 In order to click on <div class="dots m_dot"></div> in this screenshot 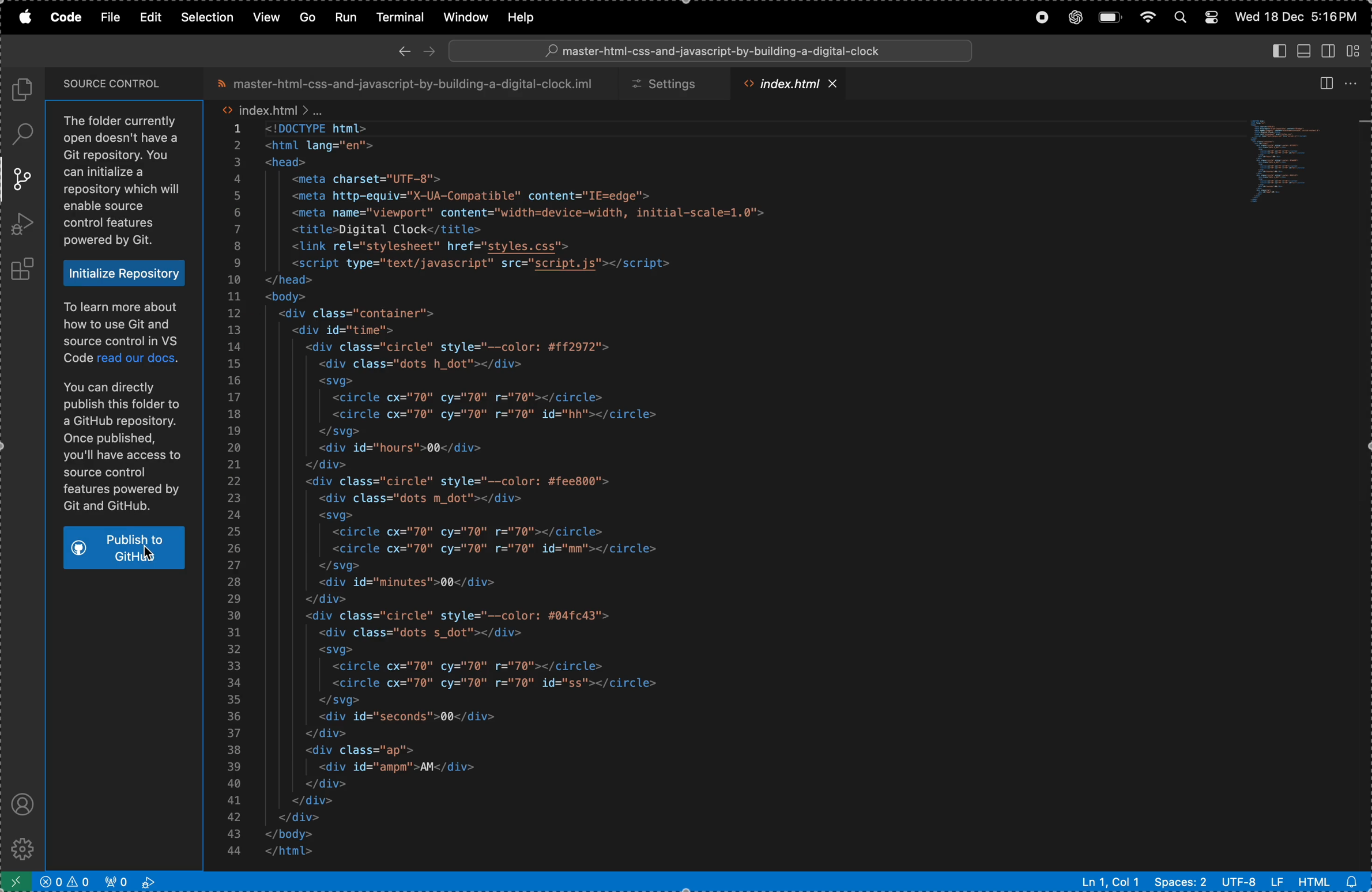, I will do `click(429, 498)`.